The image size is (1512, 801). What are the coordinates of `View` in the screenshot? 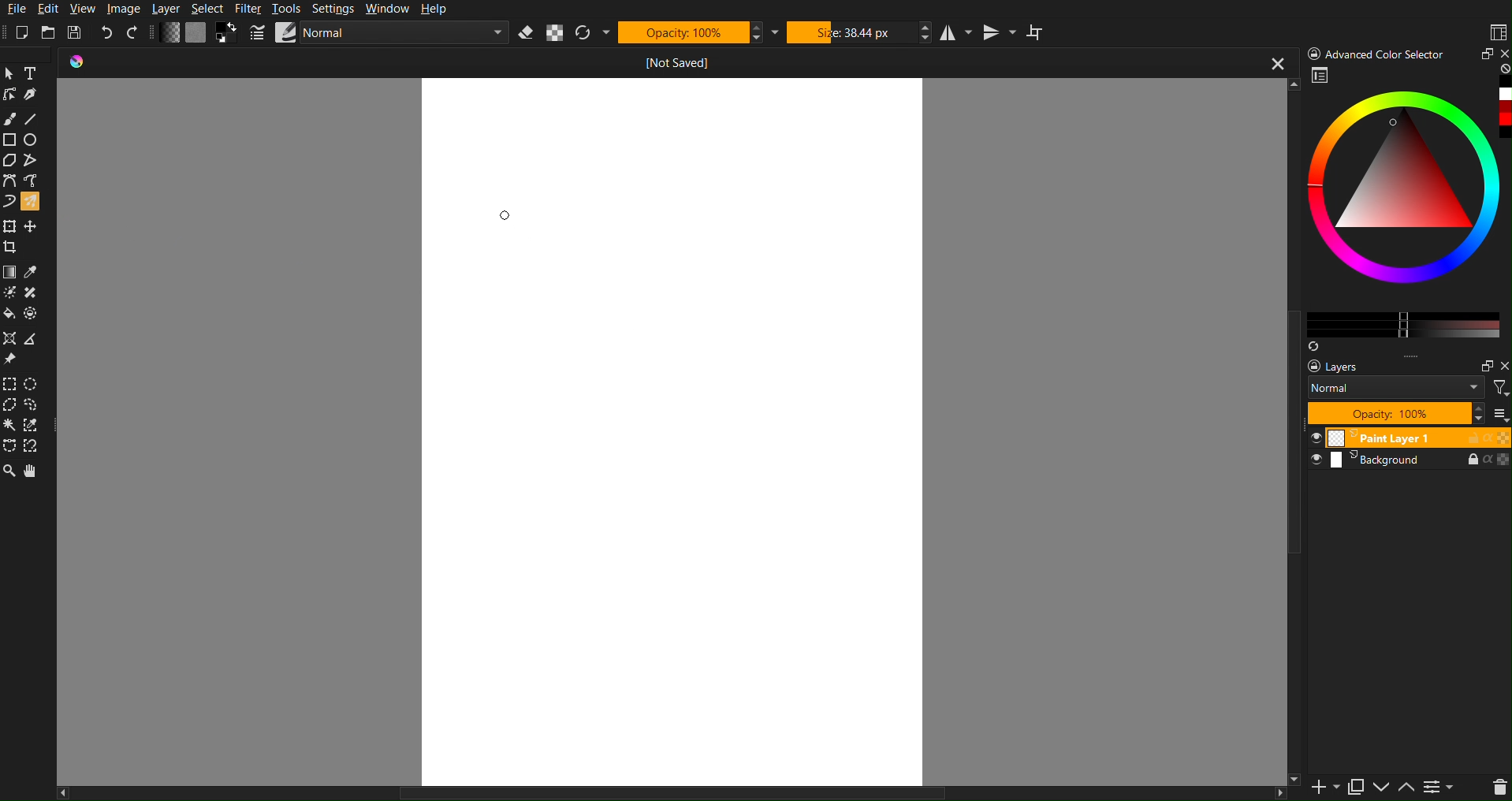 It's located at (83, 9).